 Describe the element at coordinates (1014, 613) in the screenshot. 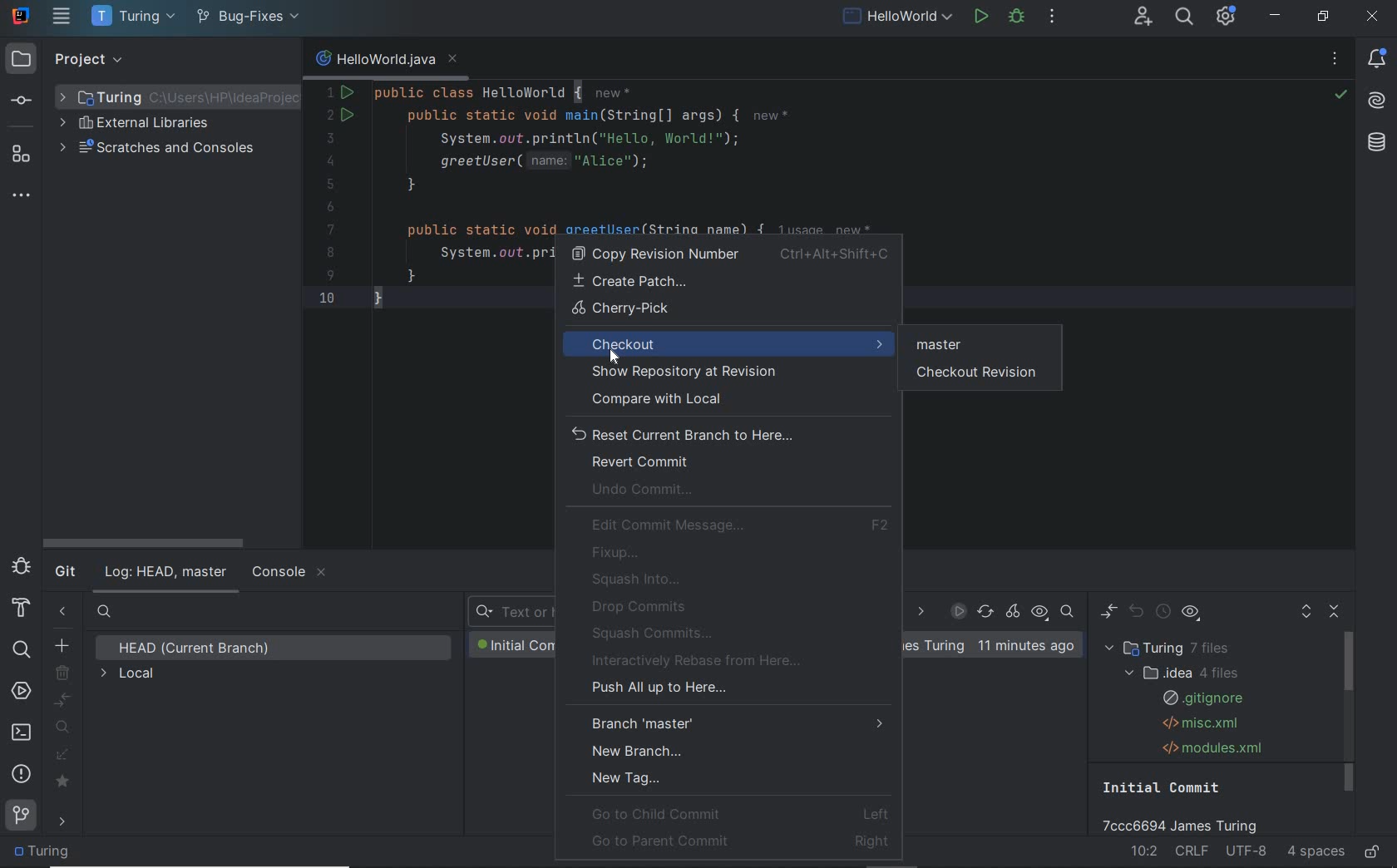

I see `cherry-pick` at that location.